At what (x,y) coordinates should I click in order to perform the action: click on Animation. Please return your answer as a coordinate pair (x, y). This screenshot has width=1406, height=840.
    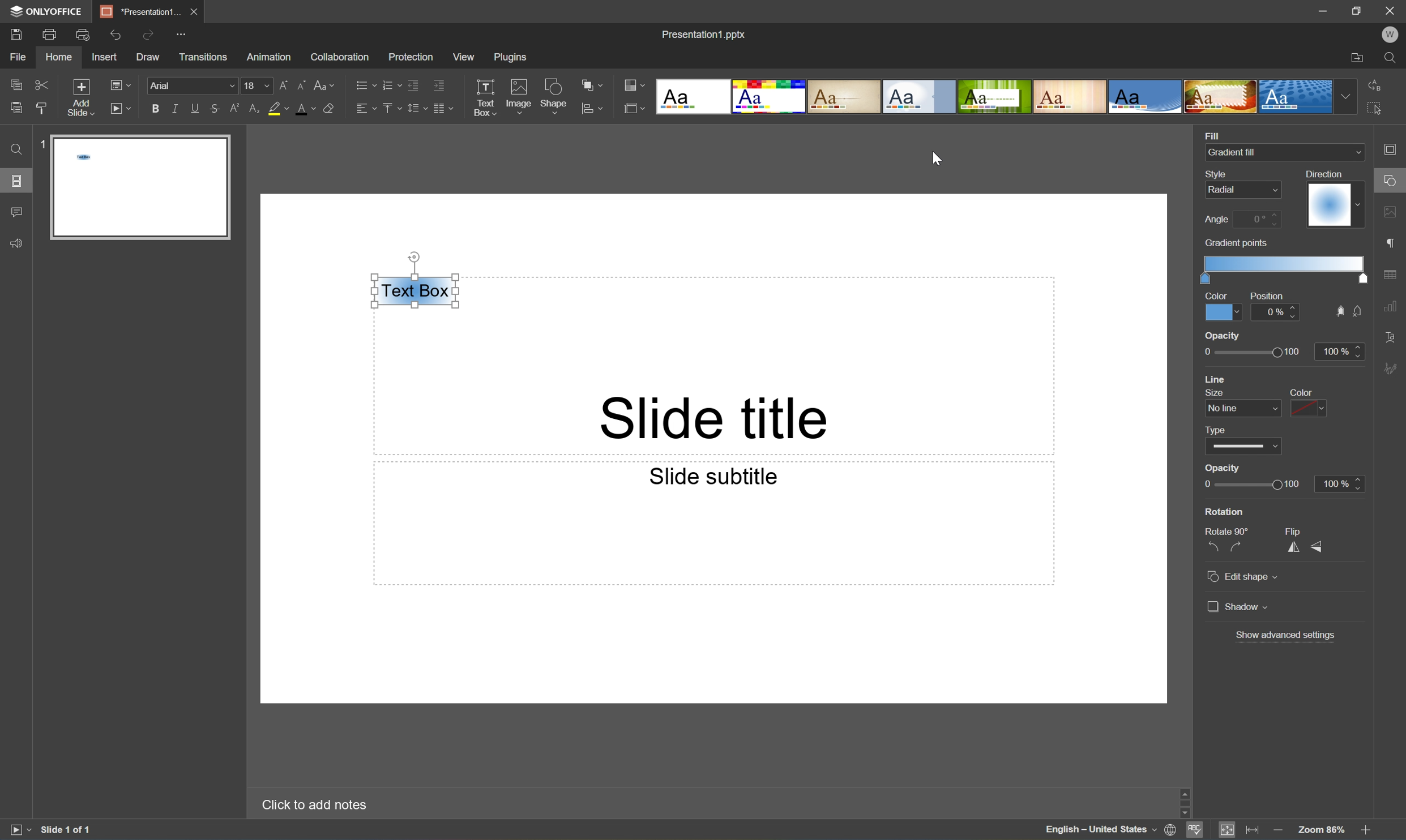
    Looking at the image, I should click on (271, 57).